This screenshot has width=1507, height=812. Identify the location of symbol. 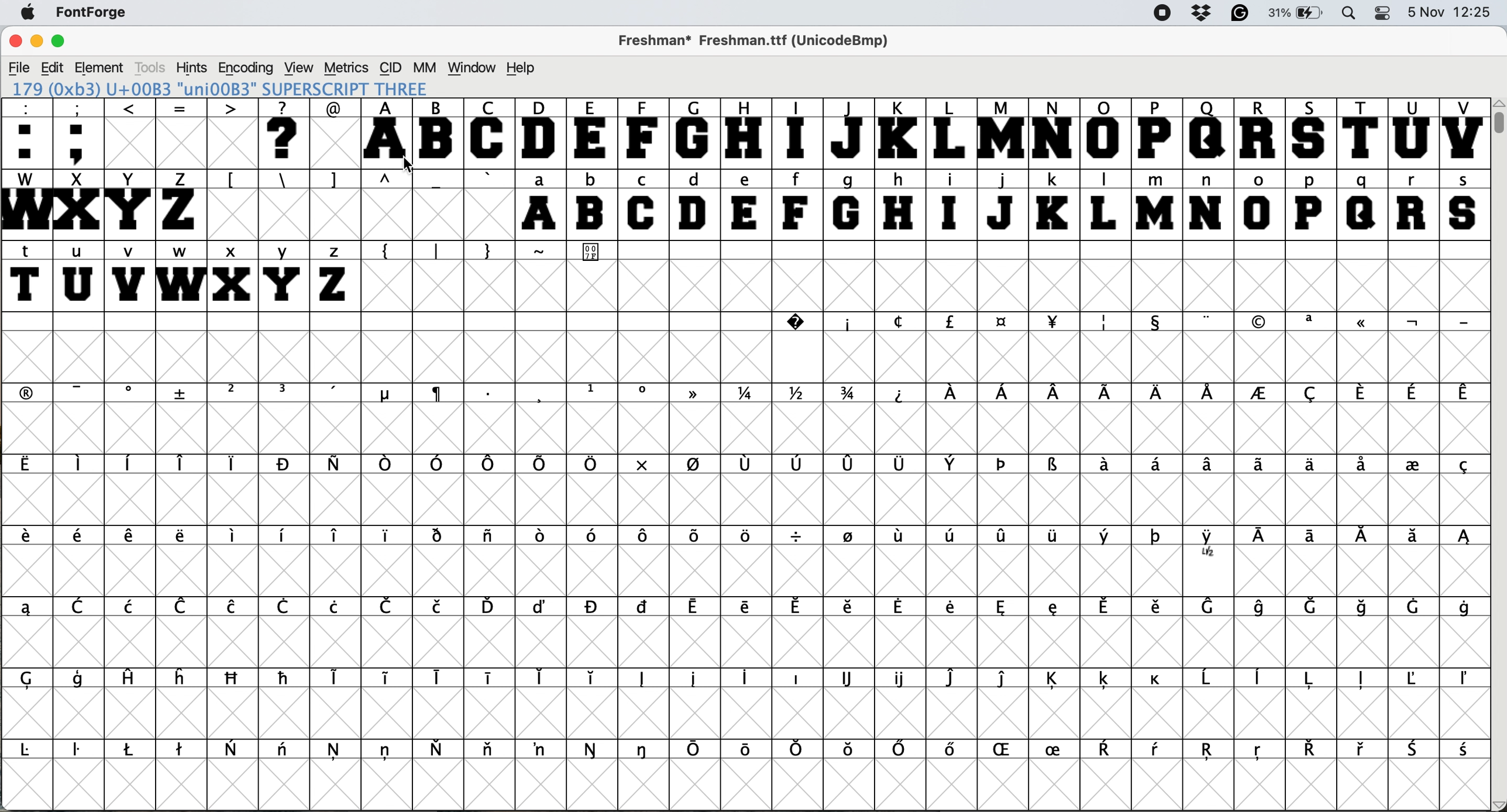
(131, 749).